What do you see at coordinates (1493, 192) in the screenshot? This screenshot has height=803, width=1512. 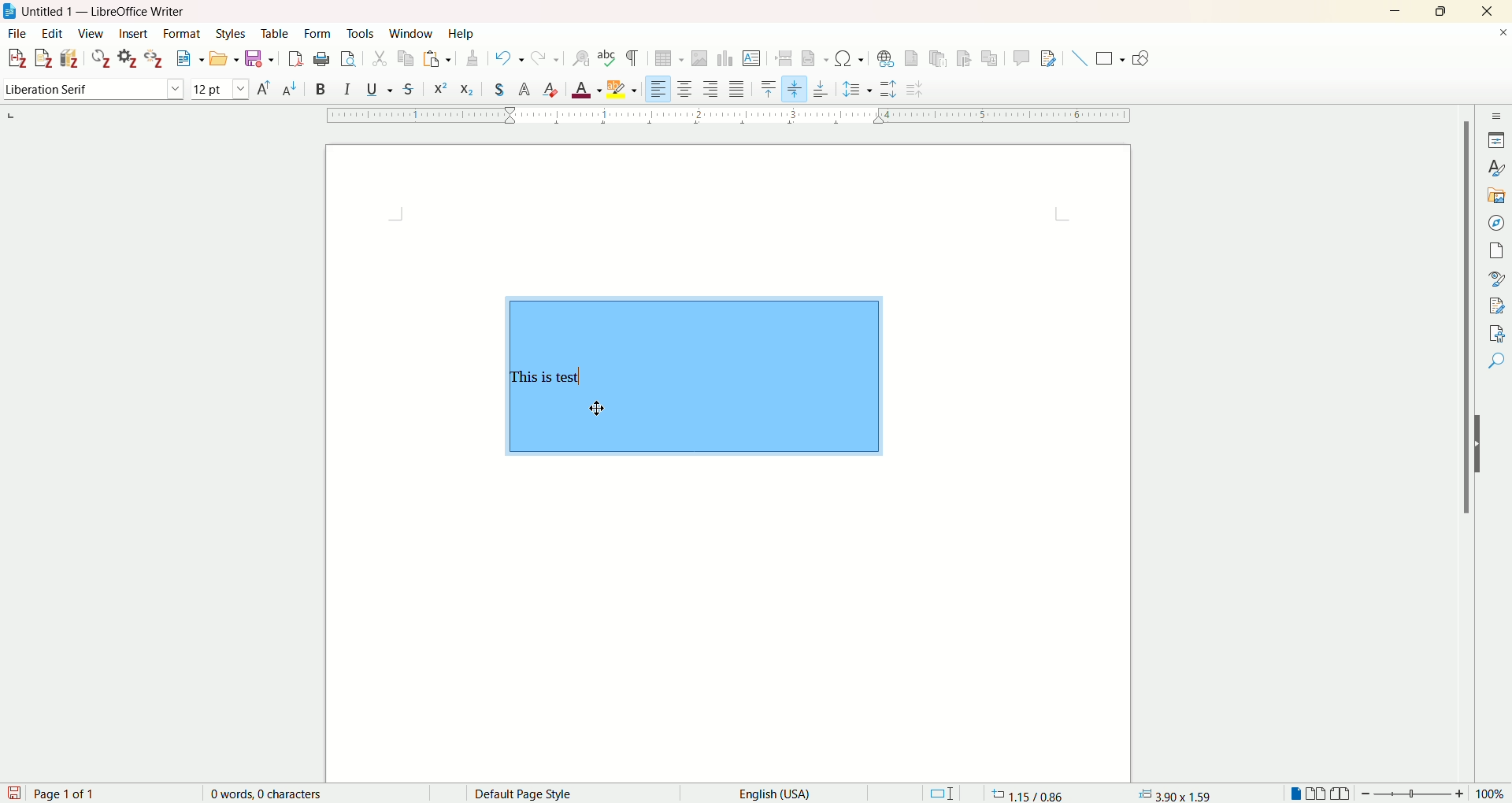 I see `gallery` at bounding box center [1493, 192].